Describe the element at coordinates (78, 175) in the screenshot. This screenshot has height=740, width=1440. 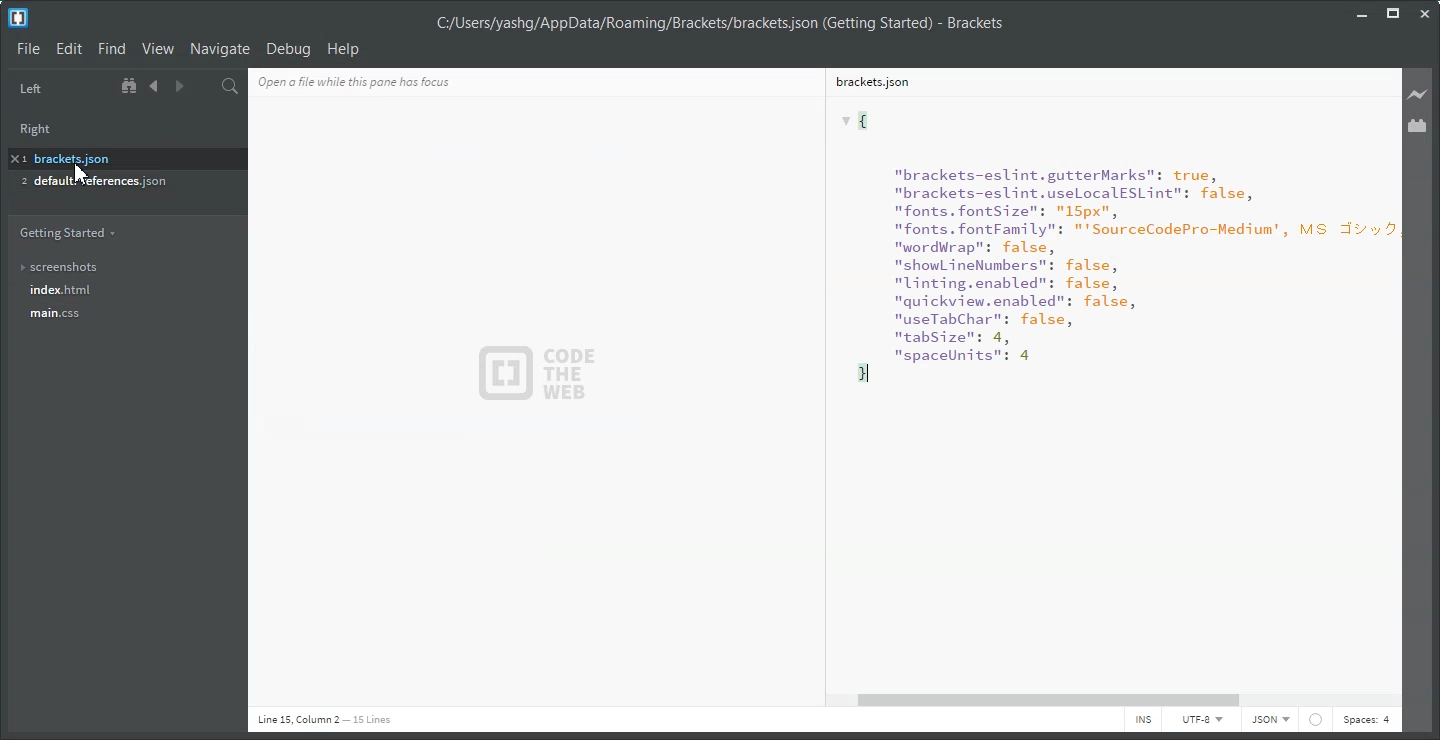
I see `Cursor` at that location.